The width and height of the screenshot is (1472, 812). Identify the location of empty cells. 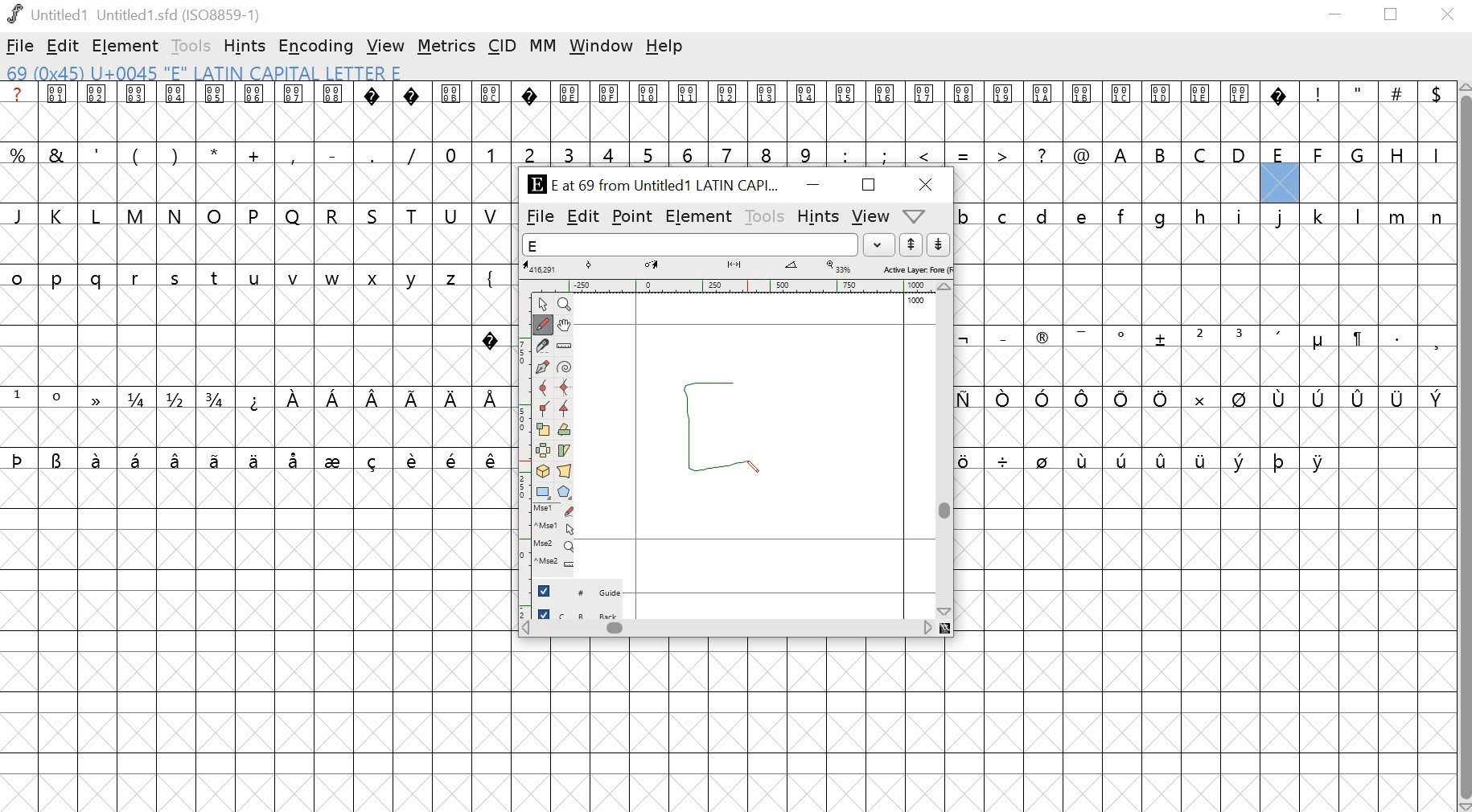
(258, 184).